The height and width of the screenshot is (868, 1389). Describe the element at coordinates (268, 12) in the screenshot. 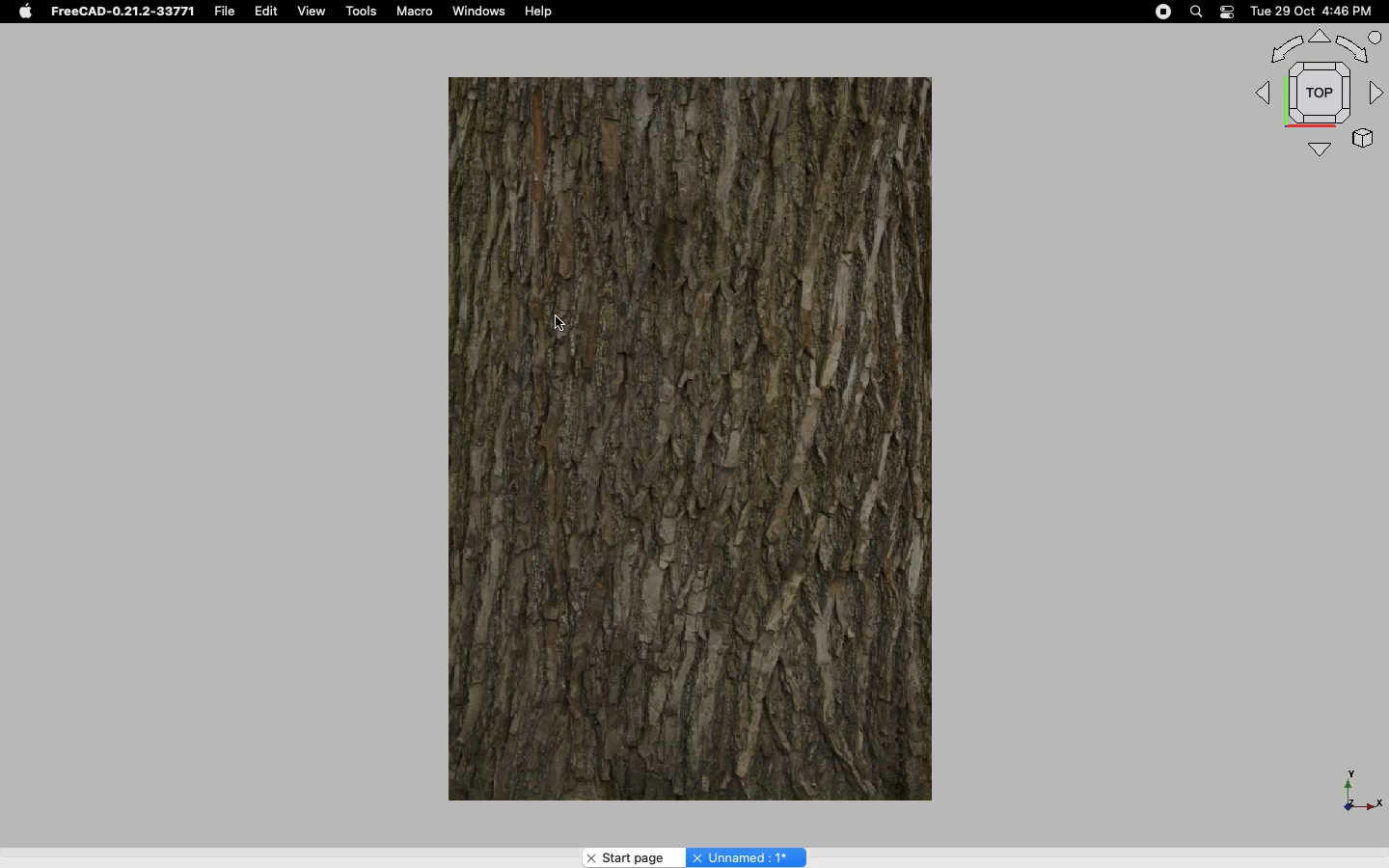

I see `Edit` at that location.